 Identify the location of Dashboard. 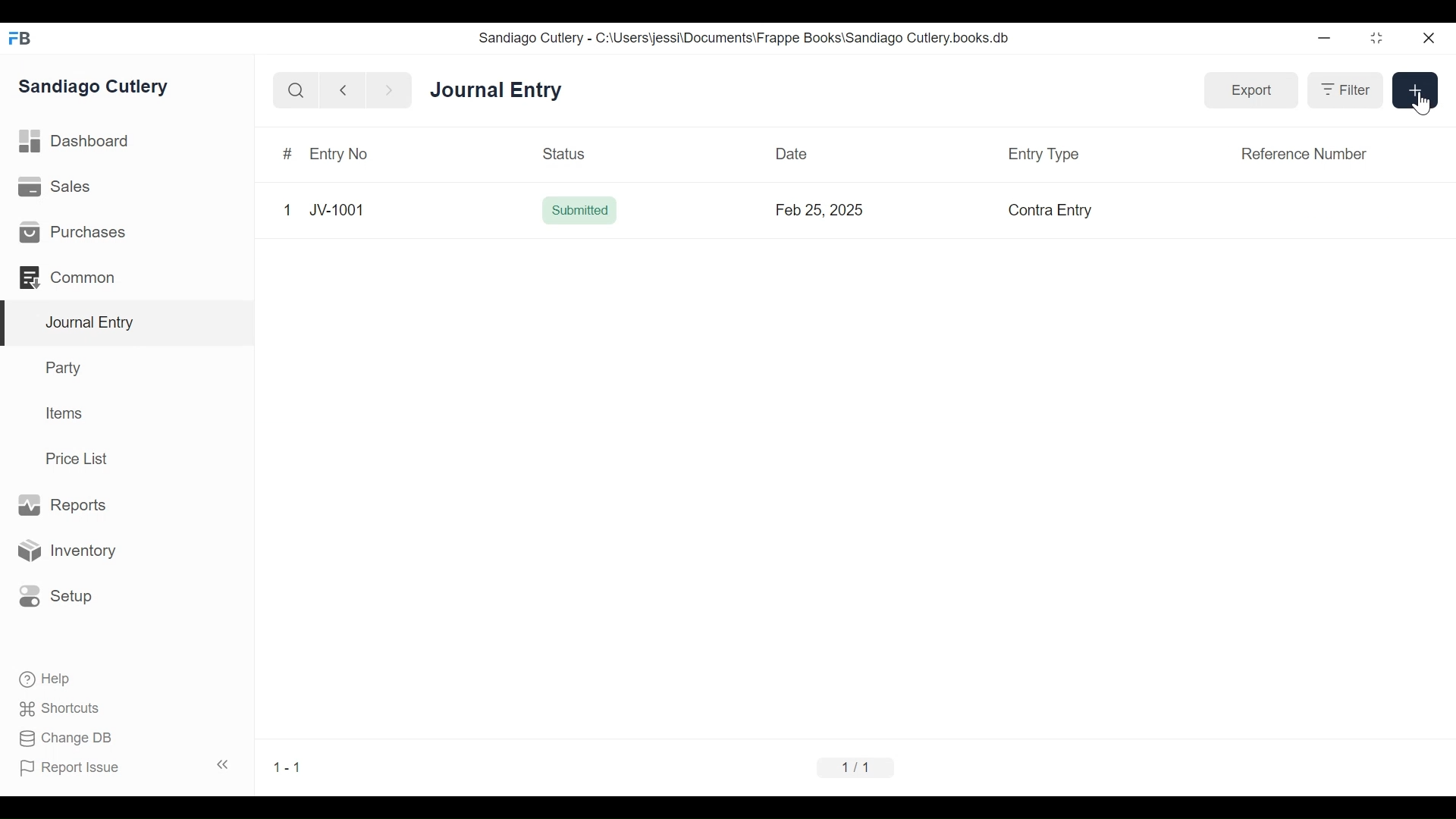
(80, 143).